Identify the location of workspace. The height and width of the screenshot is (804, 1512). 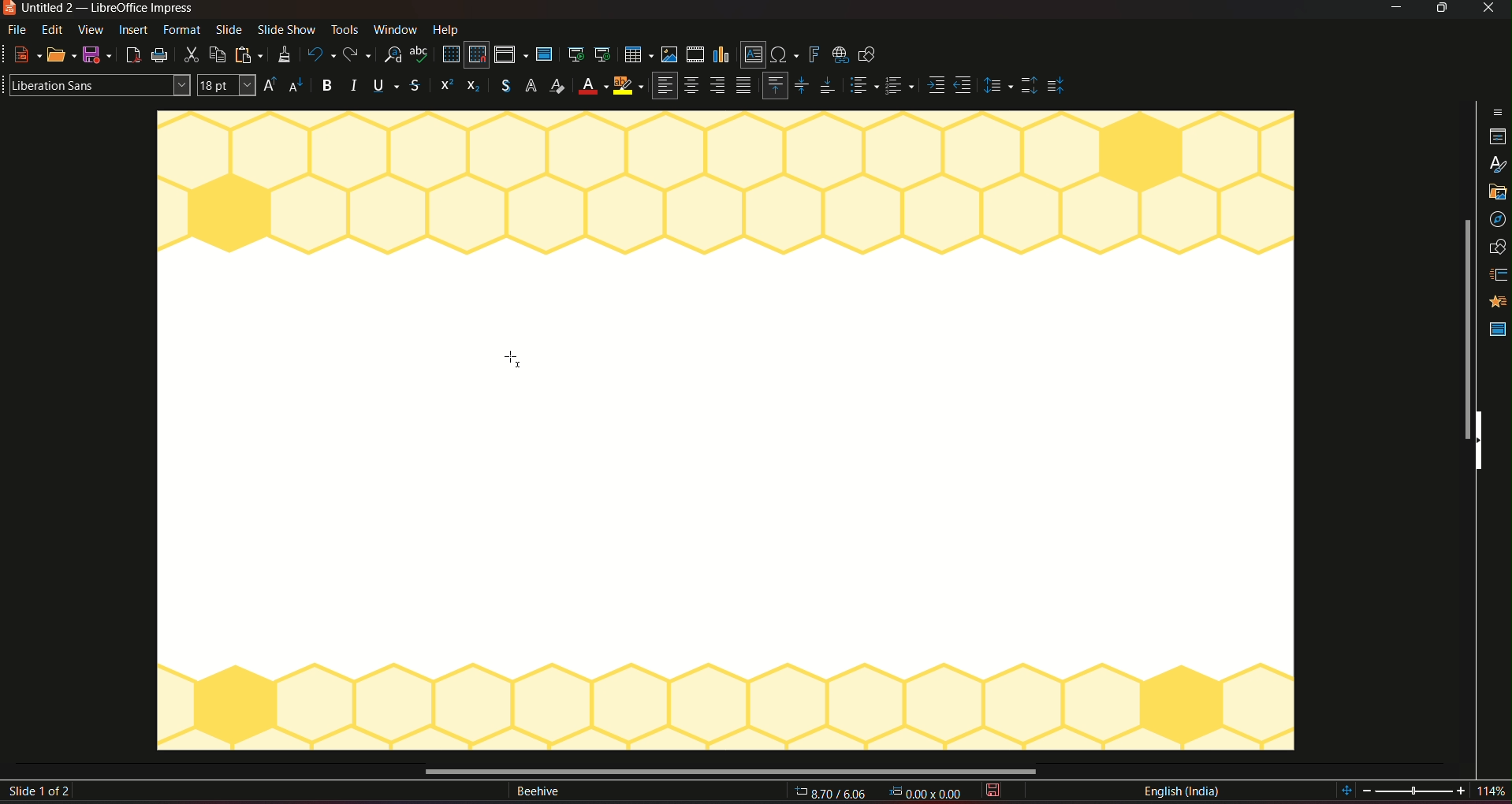
(724, 433).